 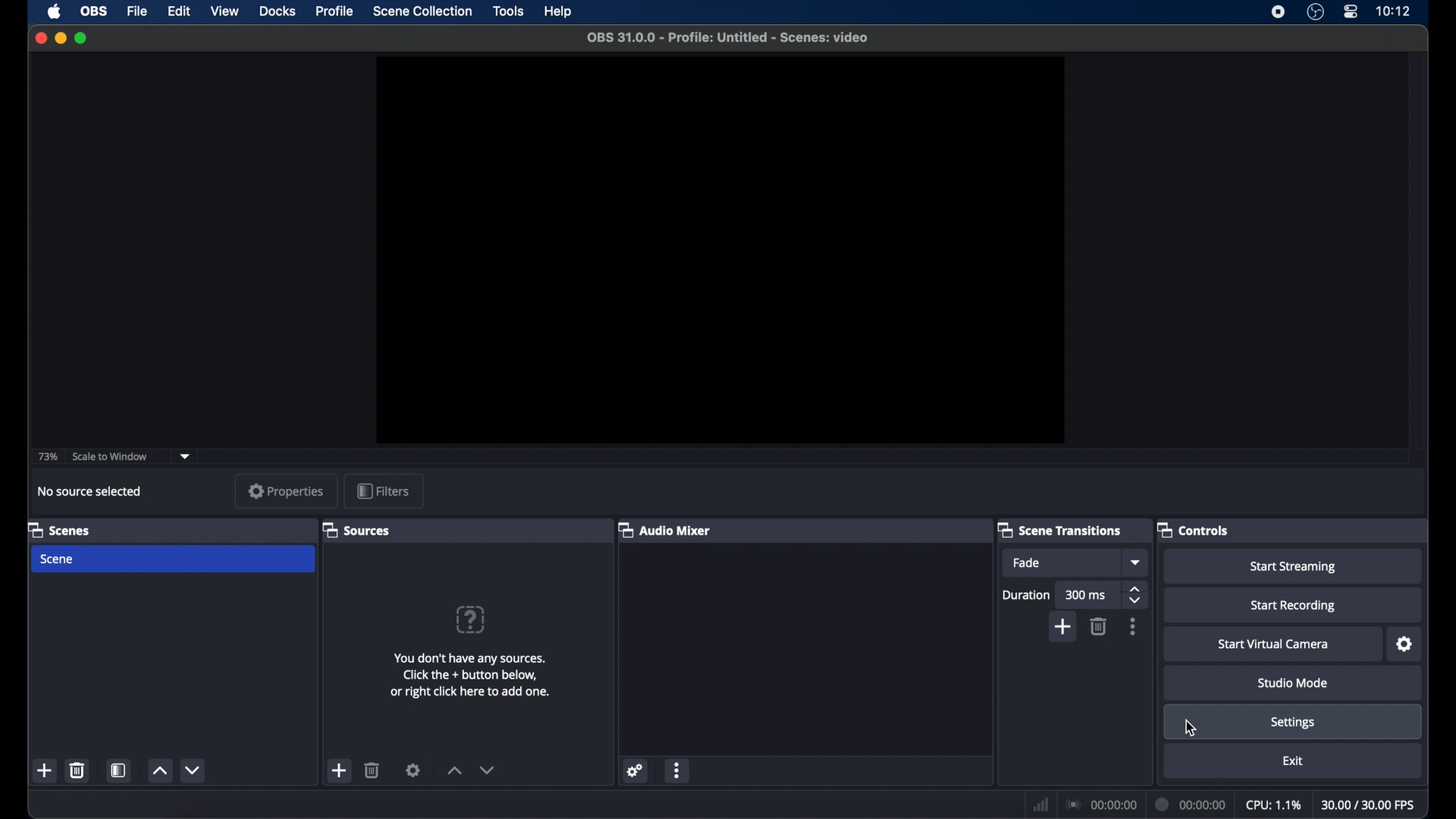 What do you see at coordinates (1369, 805) in the screenshot?
I see `fps` at bounding box center [1369, 805].